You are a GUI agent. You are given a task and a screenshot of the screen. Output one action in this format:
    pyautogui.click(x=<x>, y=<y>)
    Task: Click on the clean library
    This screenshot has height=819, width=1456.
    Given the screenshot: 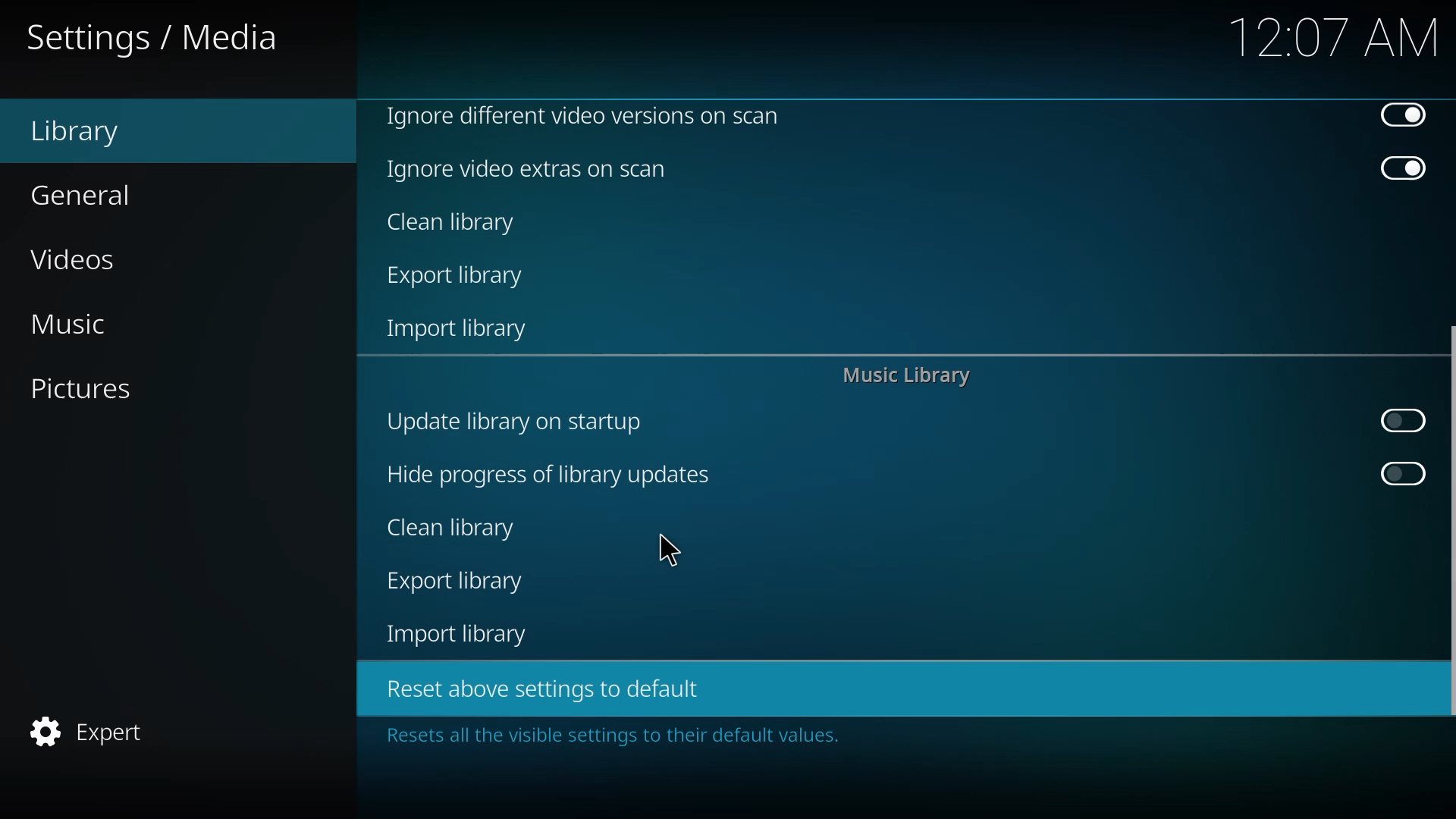 What is the action you would take?
    pyautogui.click(x=453, y=527)
    